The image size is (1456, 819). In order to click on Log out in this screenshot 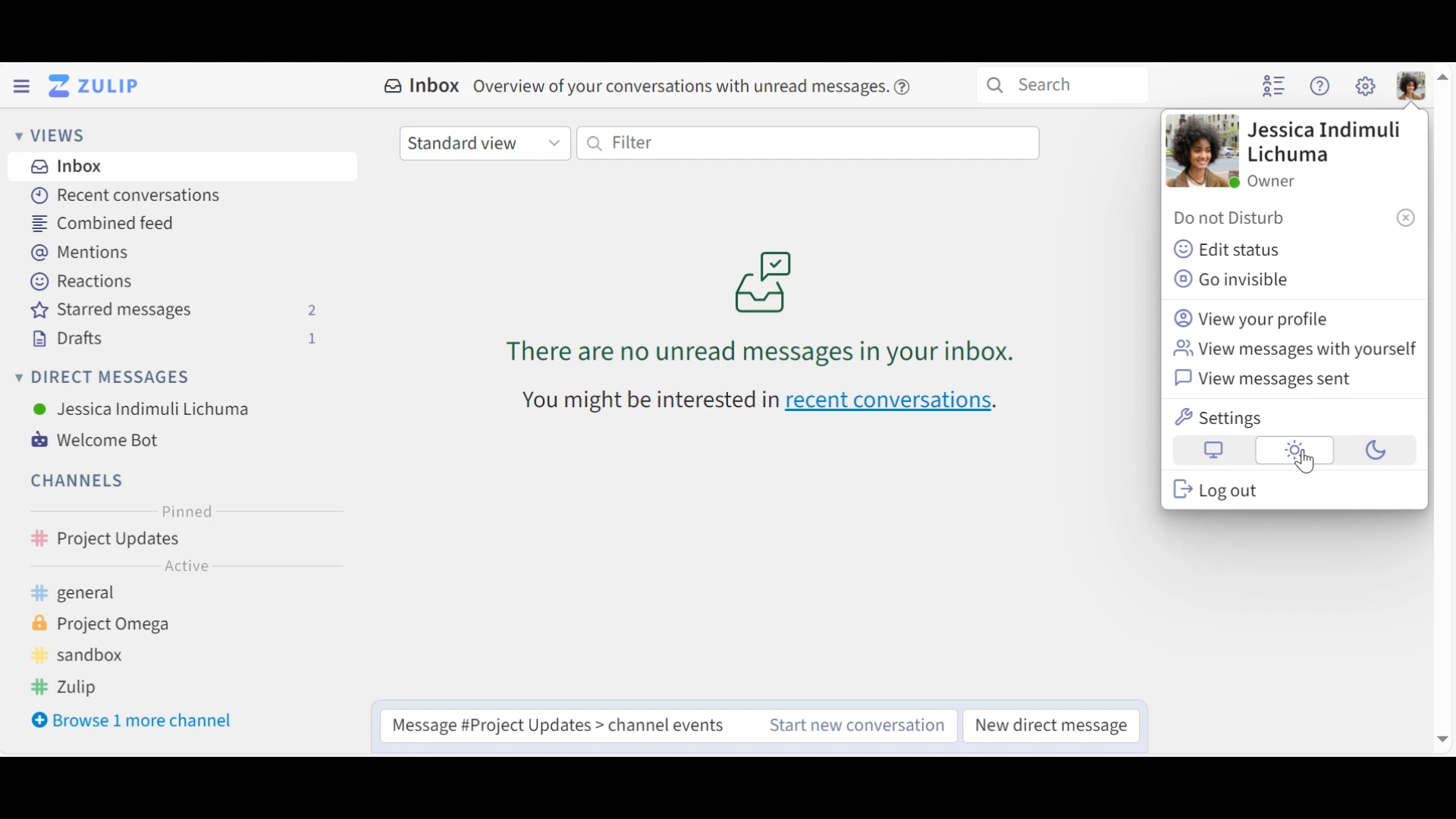, I will do `click(1216, 489)`.